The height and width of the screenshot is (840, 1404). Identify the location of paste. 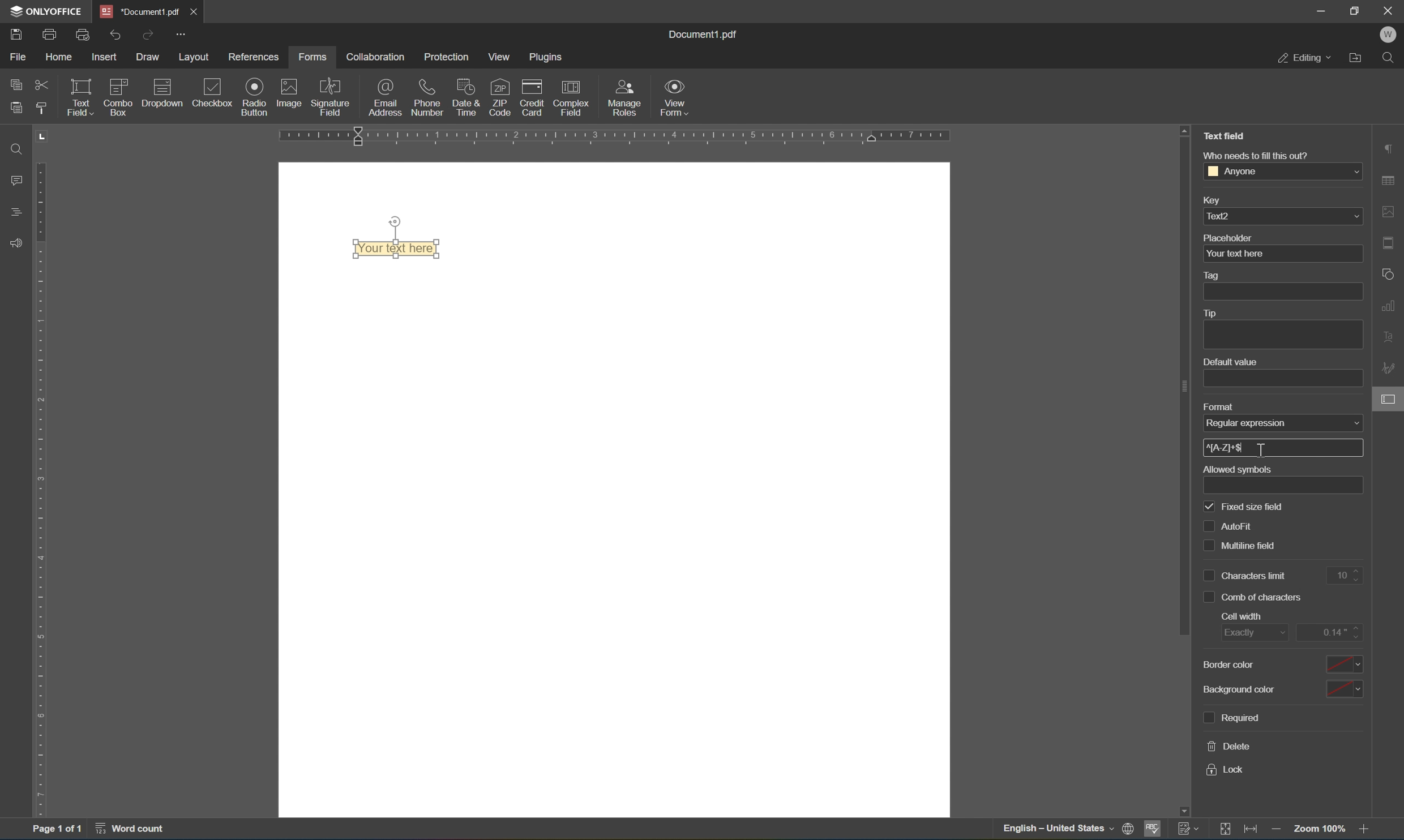
(19, 108).